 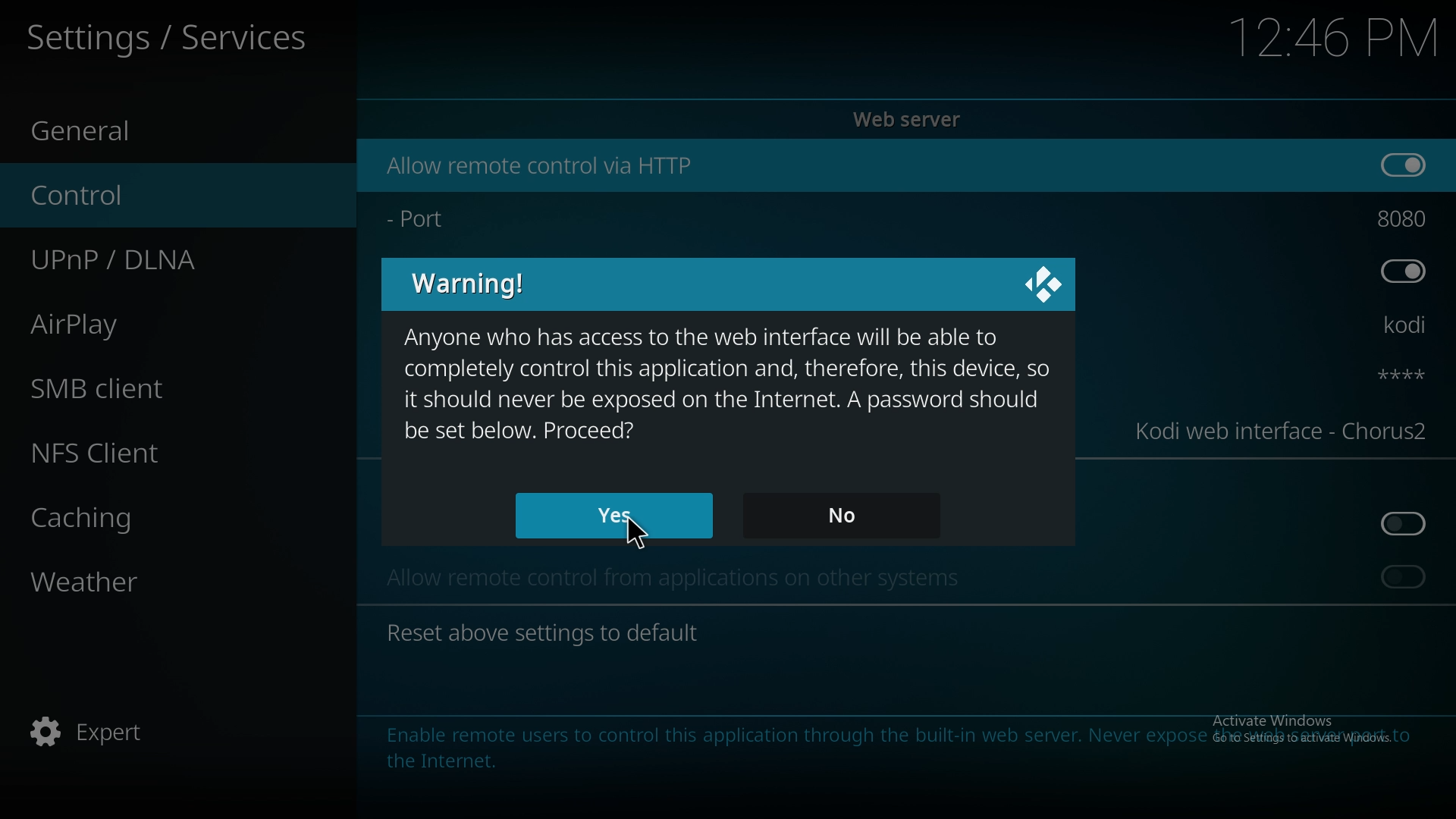 What do you see at coordinates (1406, 215) in the screenshot?
I see `port number` at bounding box center [1406, 215].